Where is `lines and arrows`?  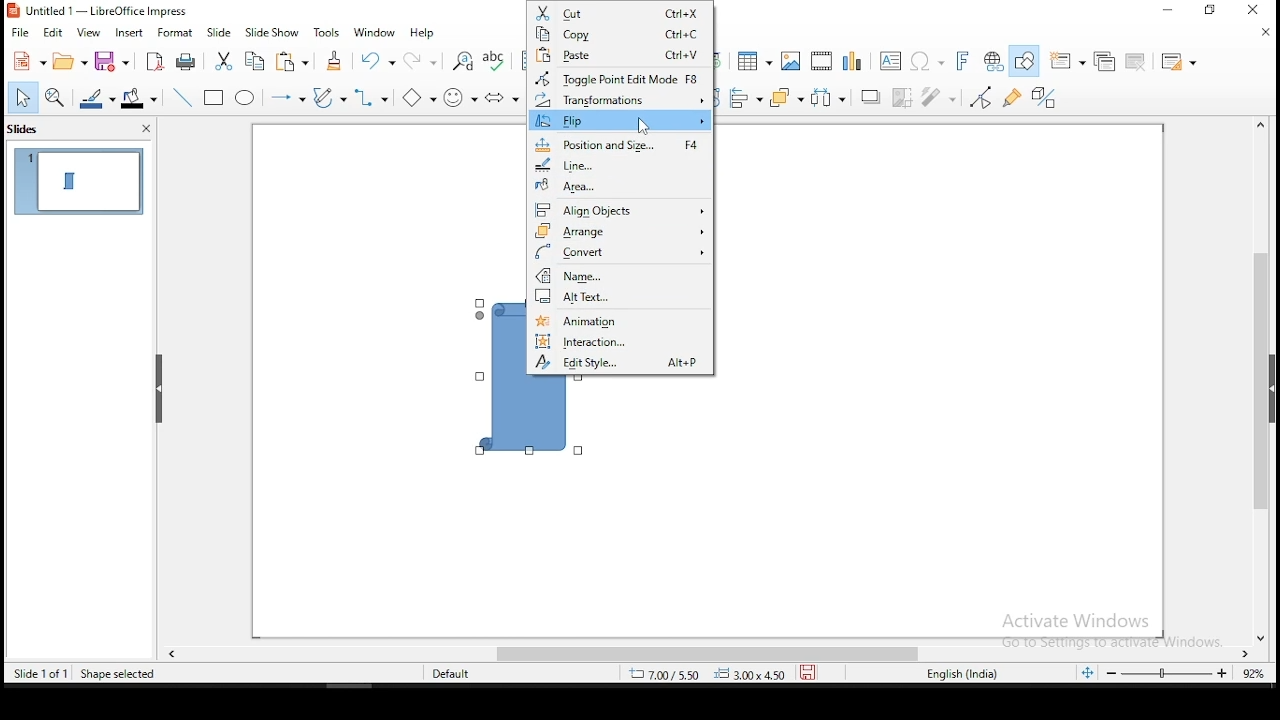 lines and arrows is located at coordinates (288, 96).